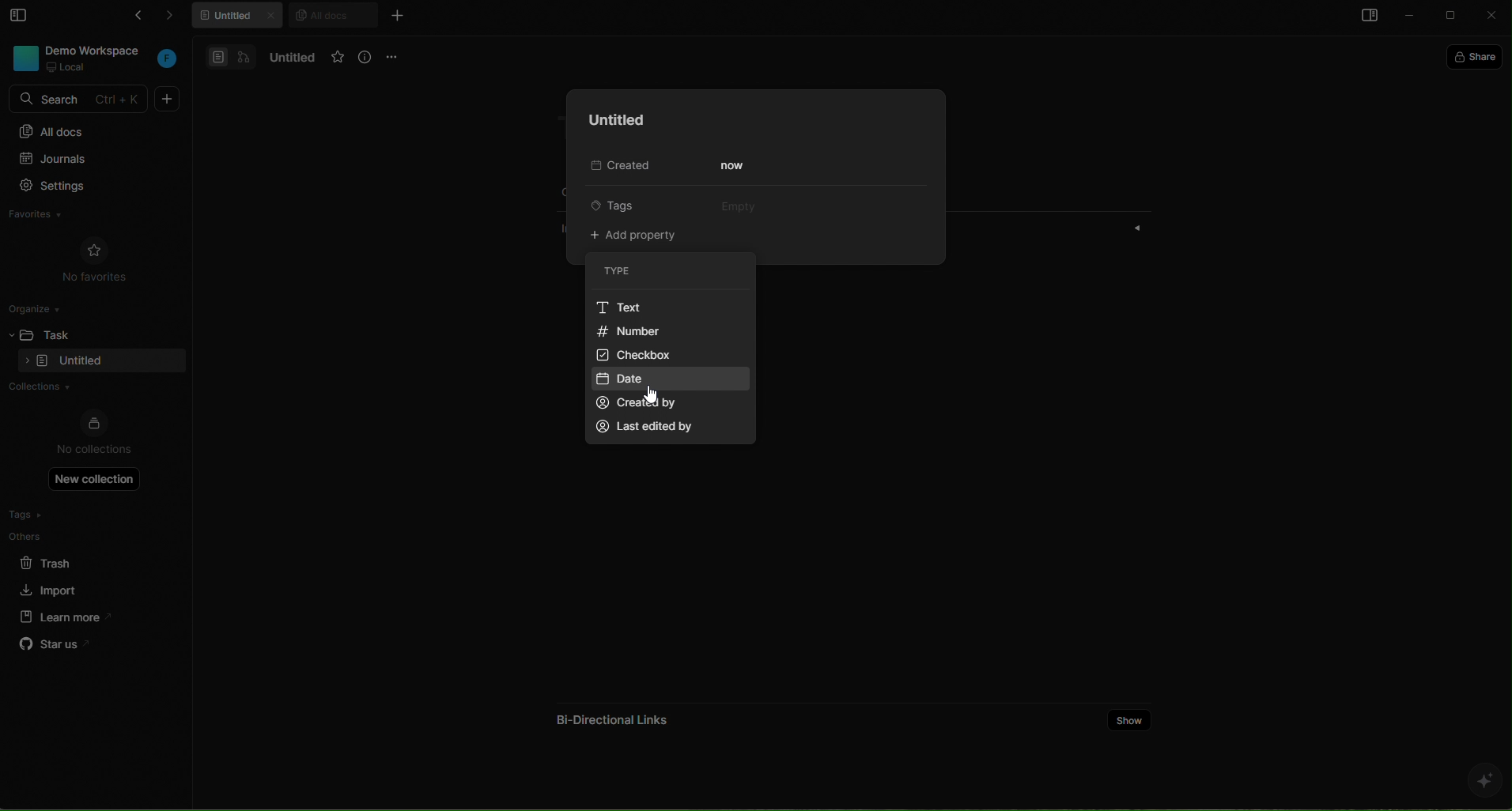 The width and height of the screenshot is (1512, 811). What do you see at coordinates (81, 362) in the screenshot?
I see `empty folder` at bounding box center [81, 362].